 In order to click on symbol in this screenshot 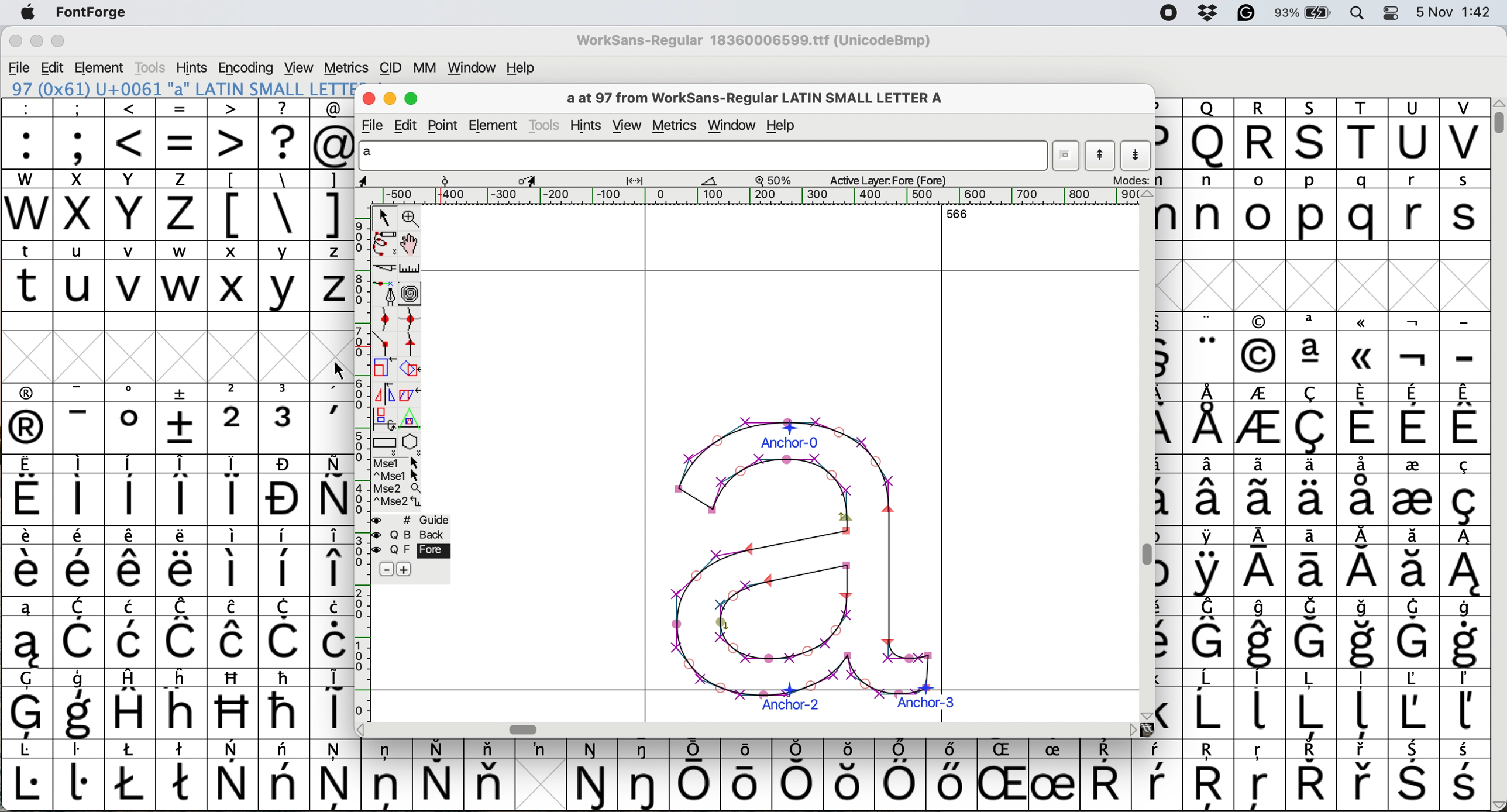, I will do `click(1415, 349)`.